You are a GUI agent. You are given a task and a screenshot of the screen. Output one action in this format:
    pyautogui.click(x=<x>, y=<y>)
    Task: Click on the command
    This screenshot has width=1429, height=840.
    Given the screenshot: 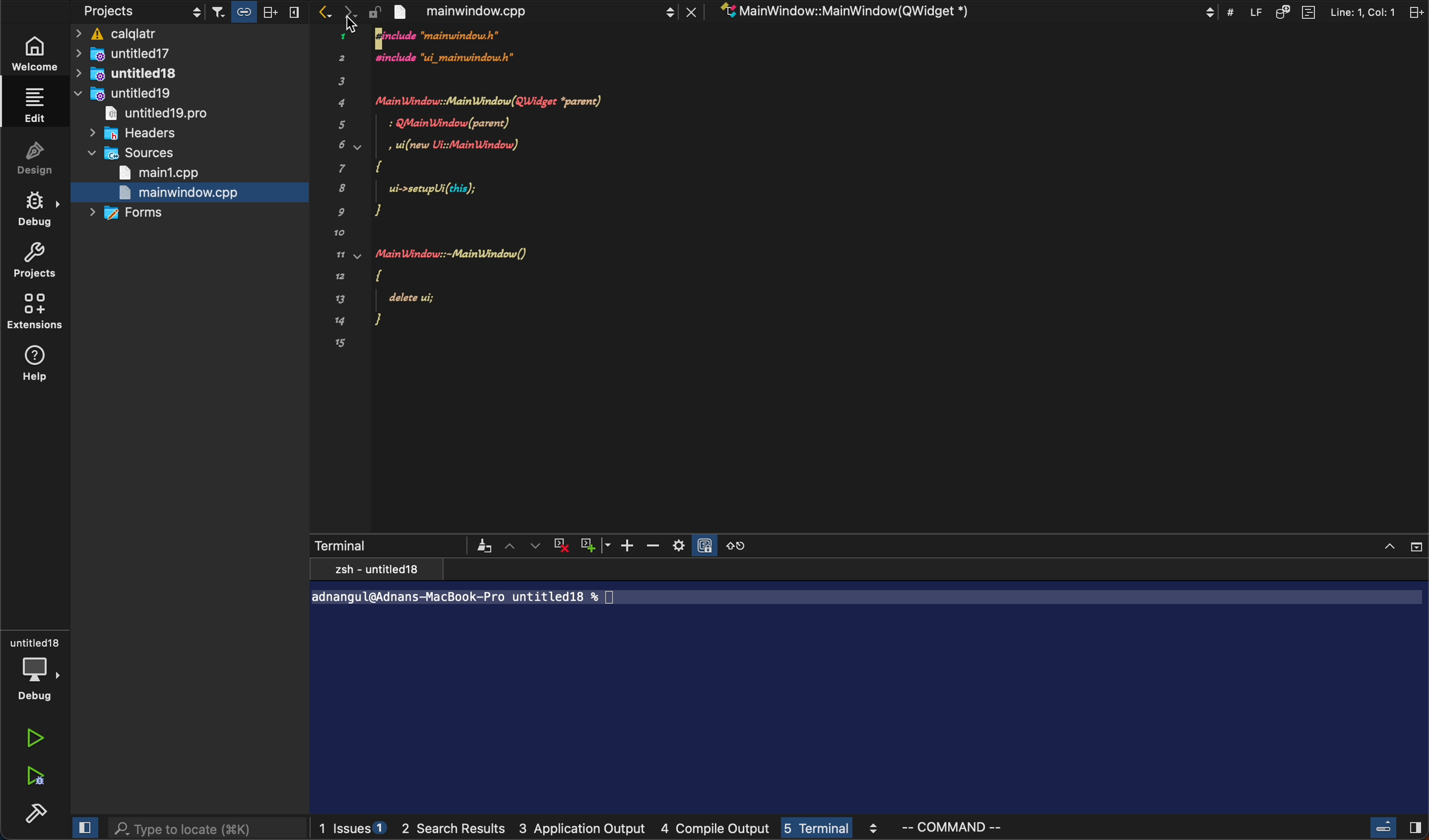 What is the action you would take?
    pyautogui.click(x=1004, y=826)
    